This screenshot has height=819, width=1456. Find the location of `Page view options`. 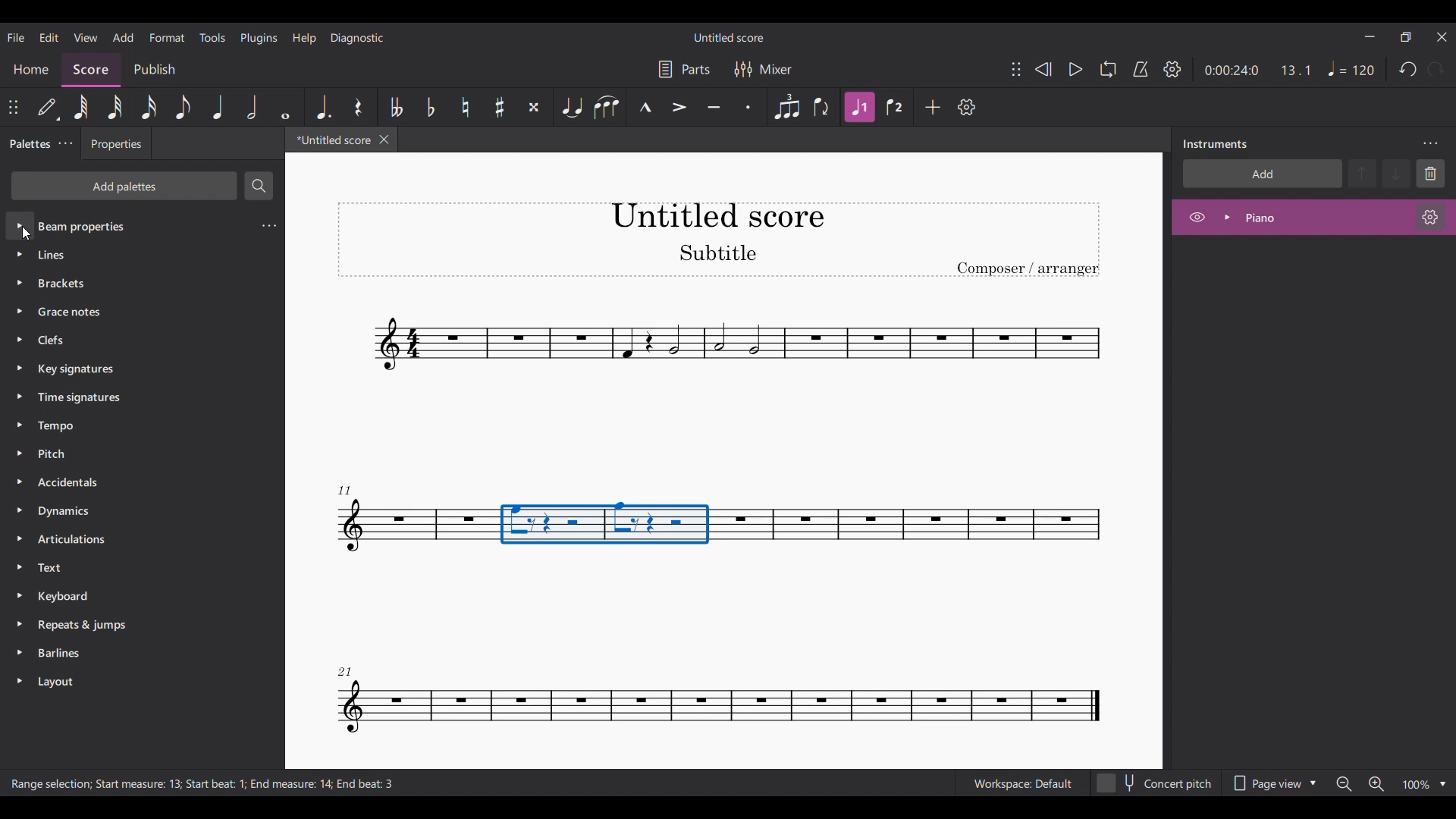

Page view options is located at coordinates (1276, 779).